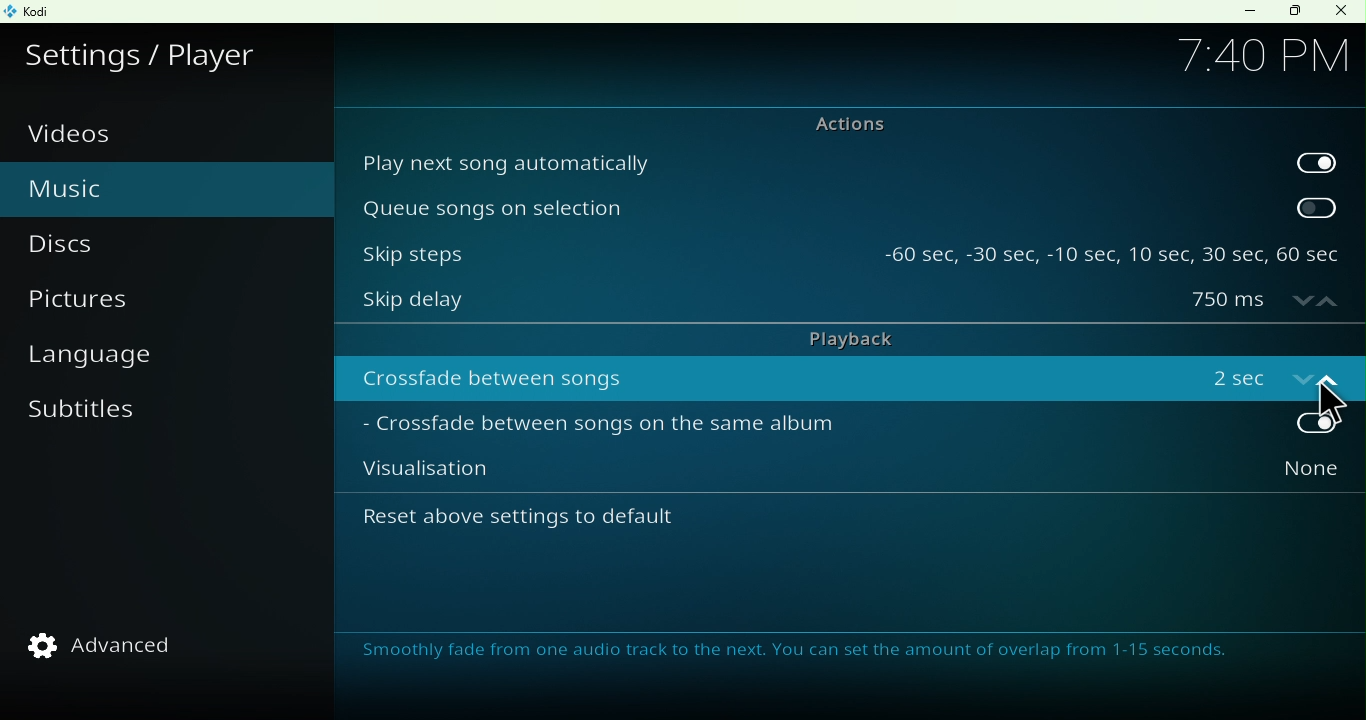 The height and width of the screenshot is (720, 1366). What do you see at coordinates (114, 645) in the screenshot?
I see `Advanced` at bounding box center [114, 645].